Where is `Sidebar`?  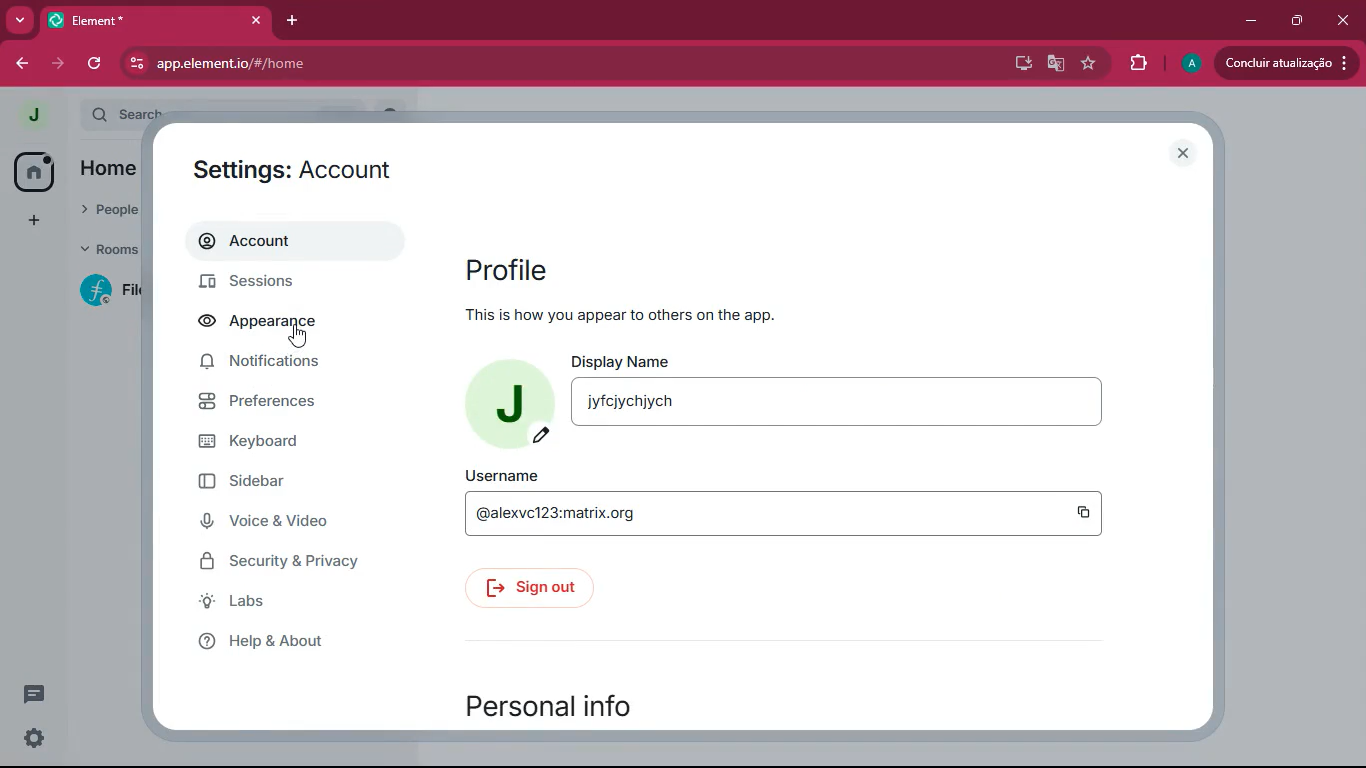 Sidebar is located at coordinates (258, 478).